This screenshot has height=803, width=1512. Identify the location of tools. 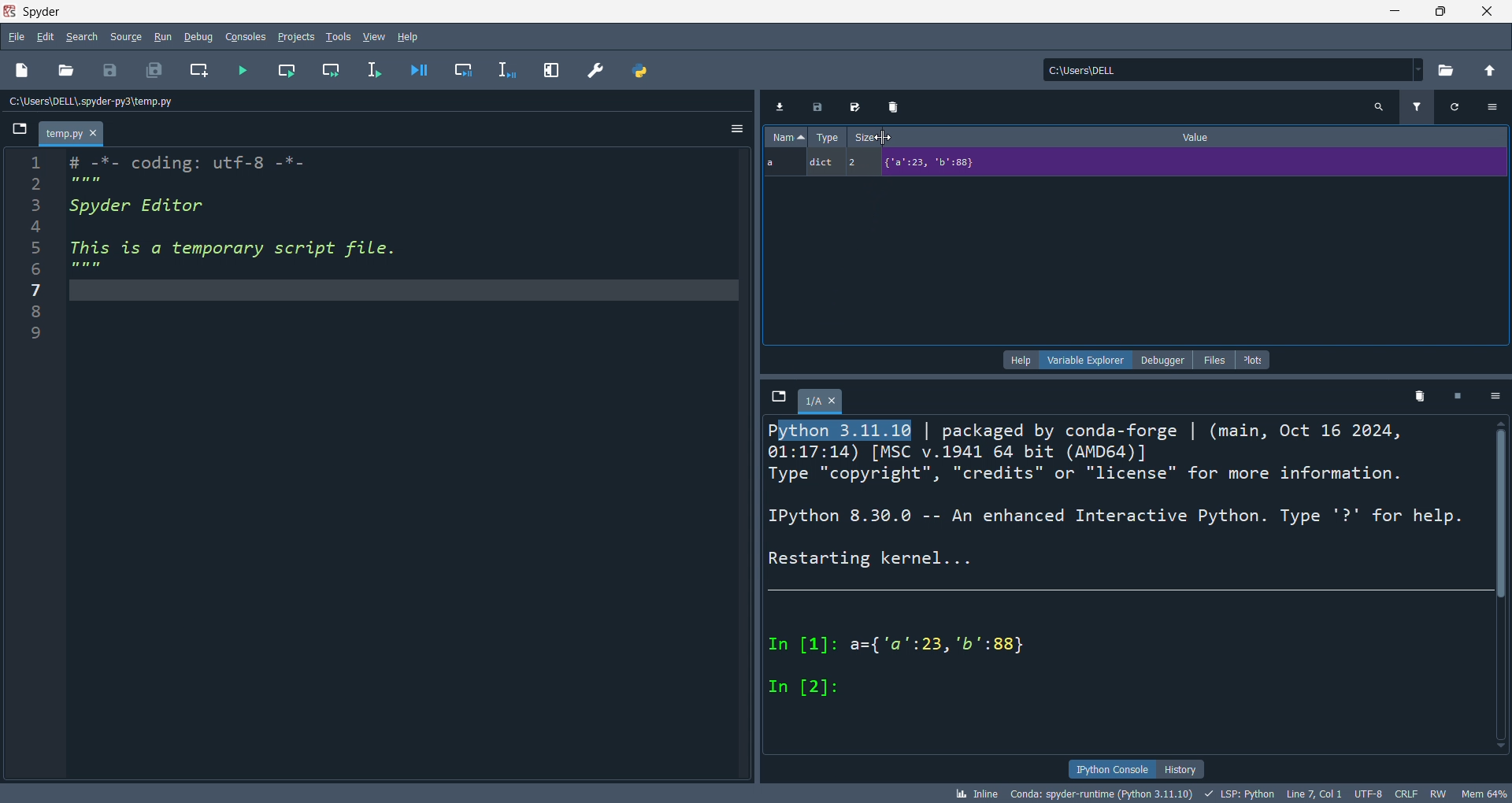
(334, 36).